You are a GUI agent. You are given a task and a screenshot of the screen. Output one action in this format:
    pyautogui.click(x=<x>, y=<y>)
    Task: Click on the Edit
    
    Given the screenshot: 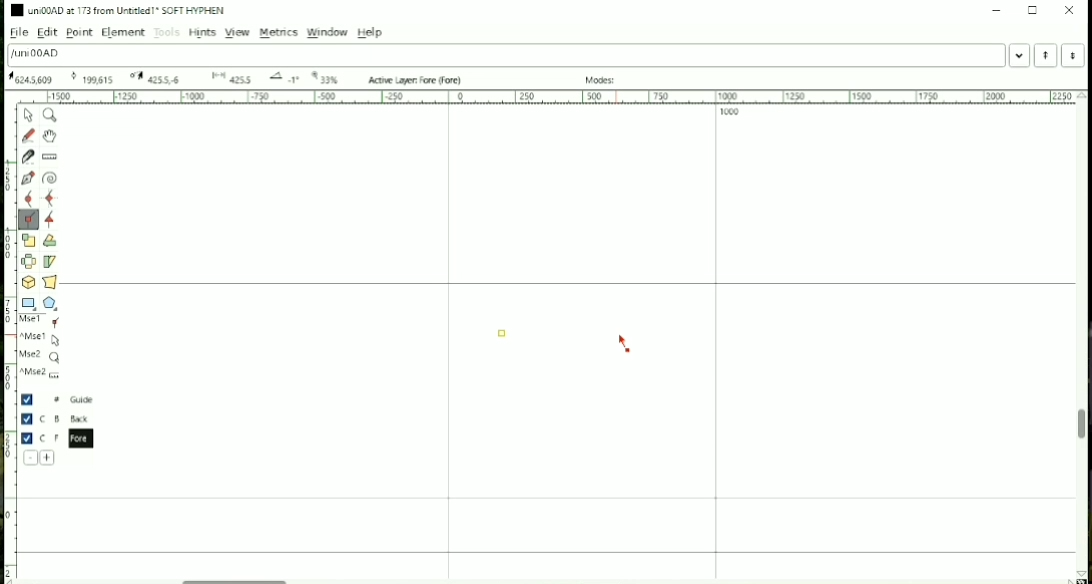 What is the action you would take?
    pyautogui.click(x=49, y=33)
    